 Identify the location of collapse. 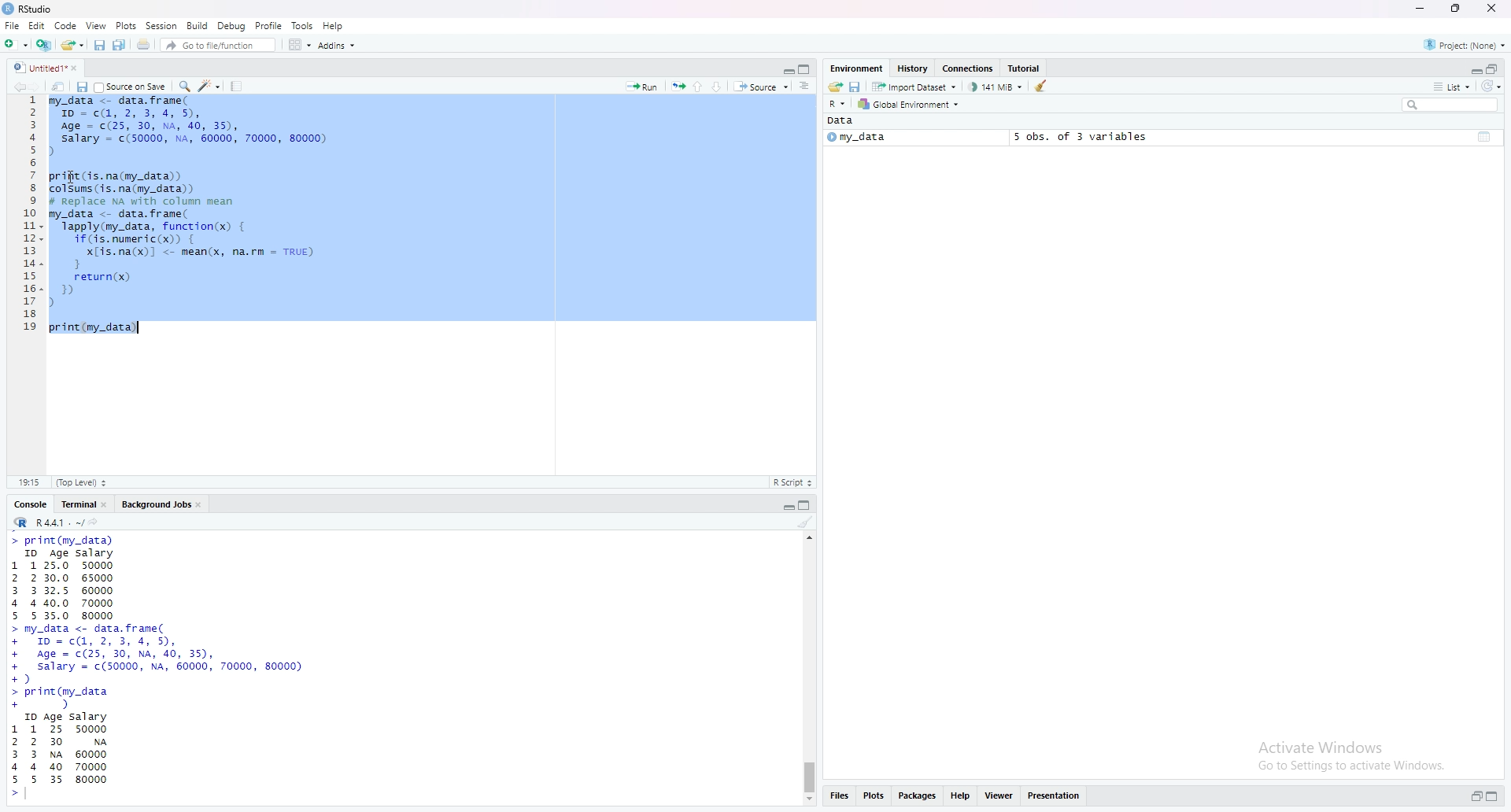
(1485, 135).